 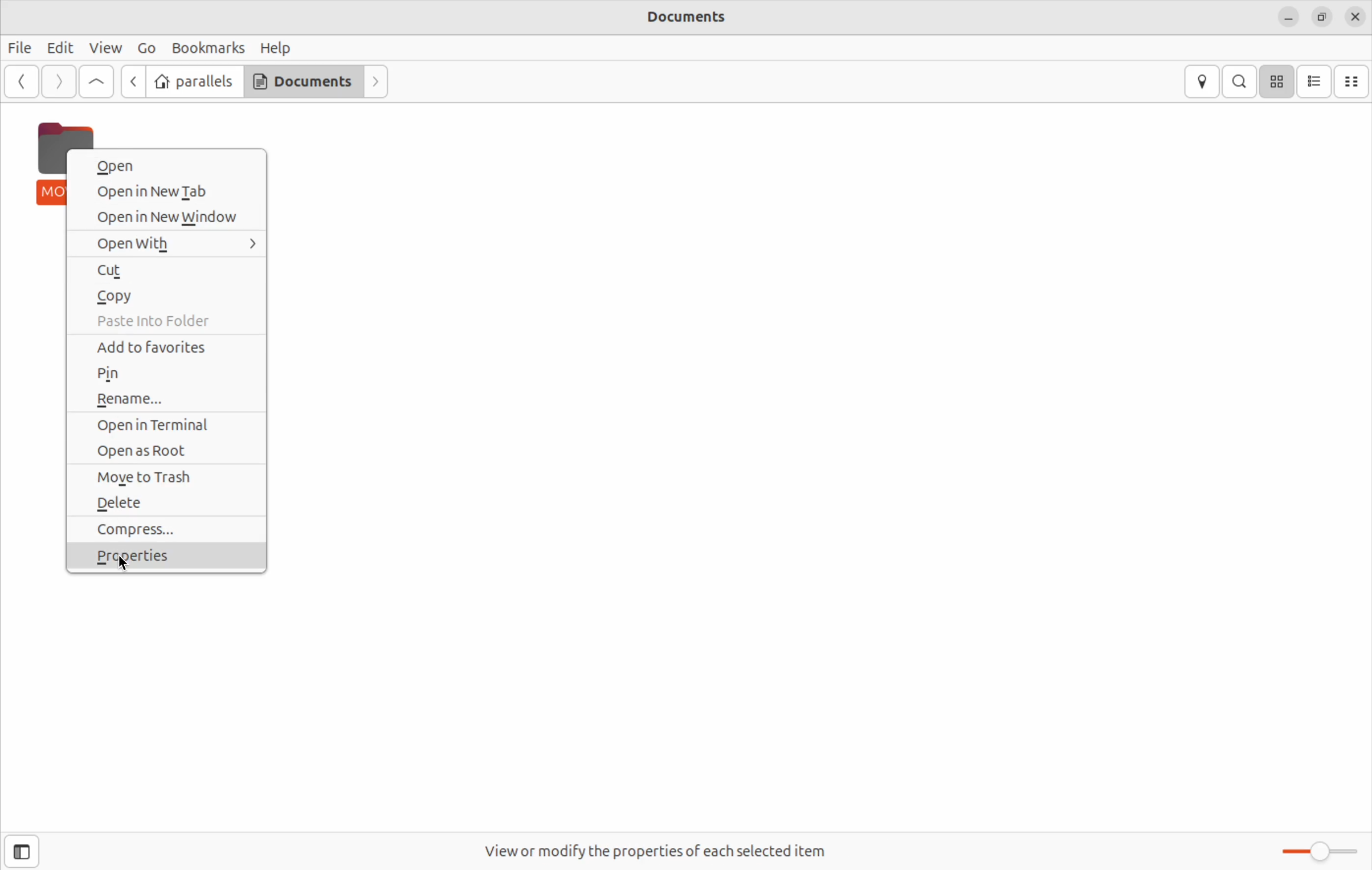 What do you see at coordinates (168, 451) in the screenshot?
I see `open as root` at bounding box center [168, 451].